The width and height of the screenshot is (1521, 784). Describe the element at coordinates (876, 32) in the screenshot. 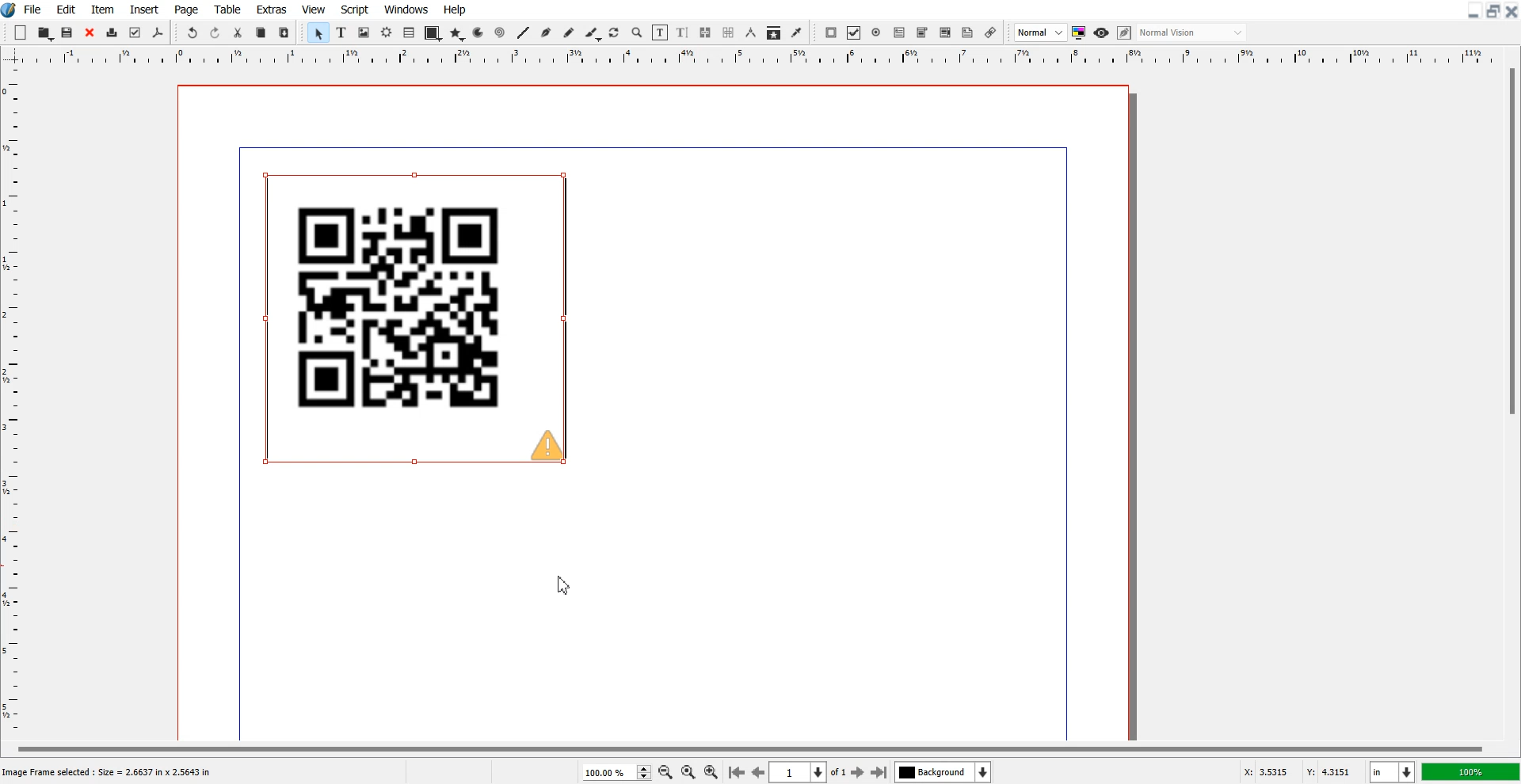

I see `PDF Radio Button` at that location.